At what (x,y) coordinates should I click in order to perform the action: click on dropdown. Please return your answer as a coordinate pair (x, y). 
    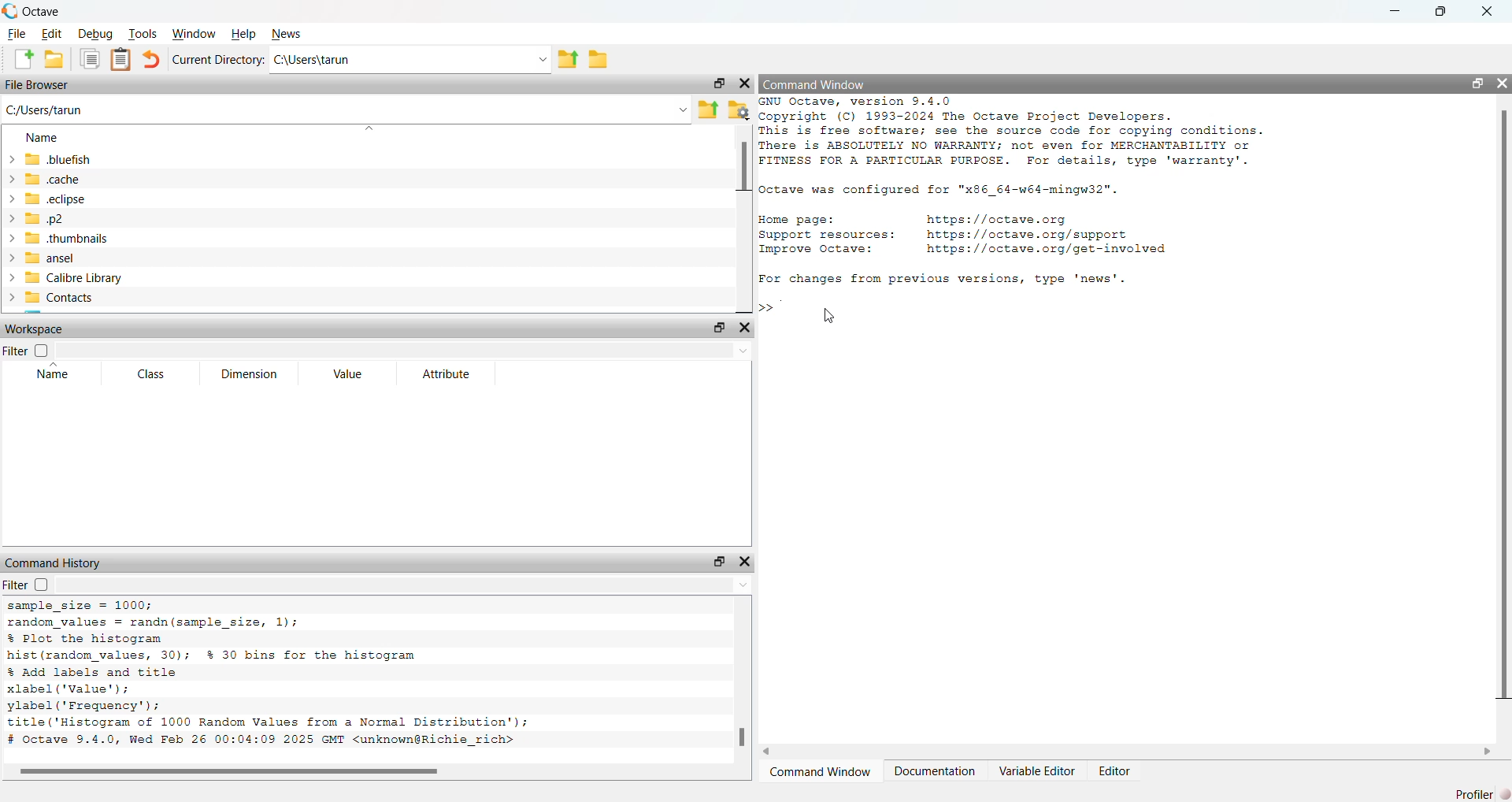
    Looking at the image, I should click on (539, 61).